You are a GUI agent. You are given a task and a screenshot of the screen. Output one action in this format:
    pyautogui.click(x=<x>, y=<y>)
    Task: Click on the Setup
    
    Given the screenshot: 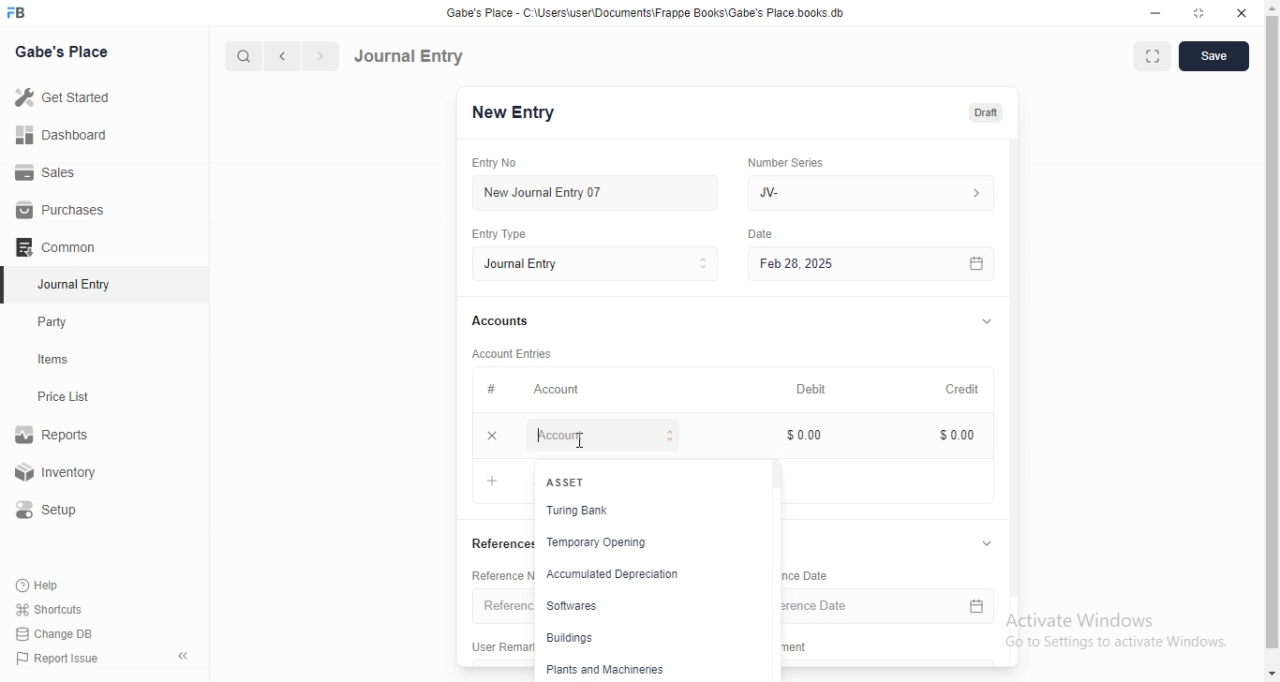 What is the action you would take?
    pyautogui.click(x=54, y=510)
    